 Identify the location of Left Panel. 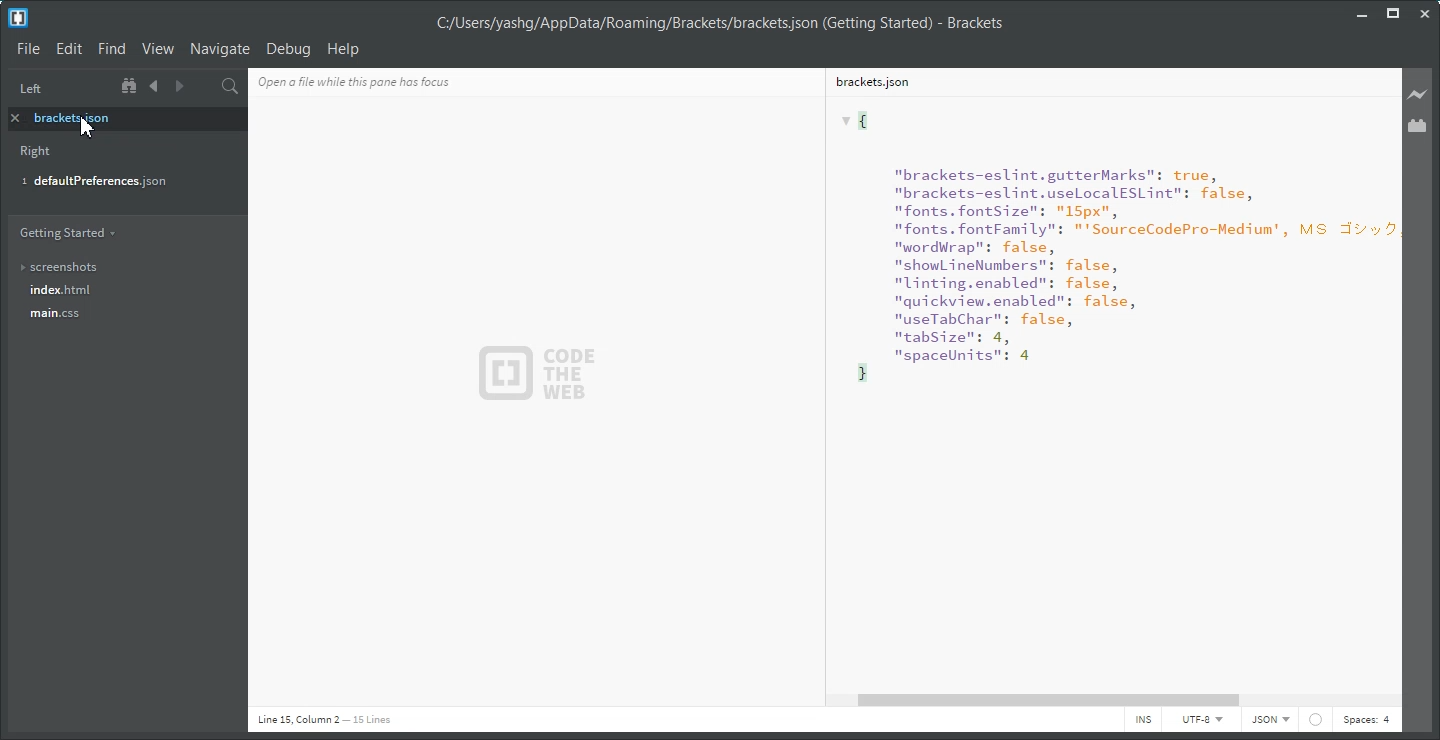
(30, 89).